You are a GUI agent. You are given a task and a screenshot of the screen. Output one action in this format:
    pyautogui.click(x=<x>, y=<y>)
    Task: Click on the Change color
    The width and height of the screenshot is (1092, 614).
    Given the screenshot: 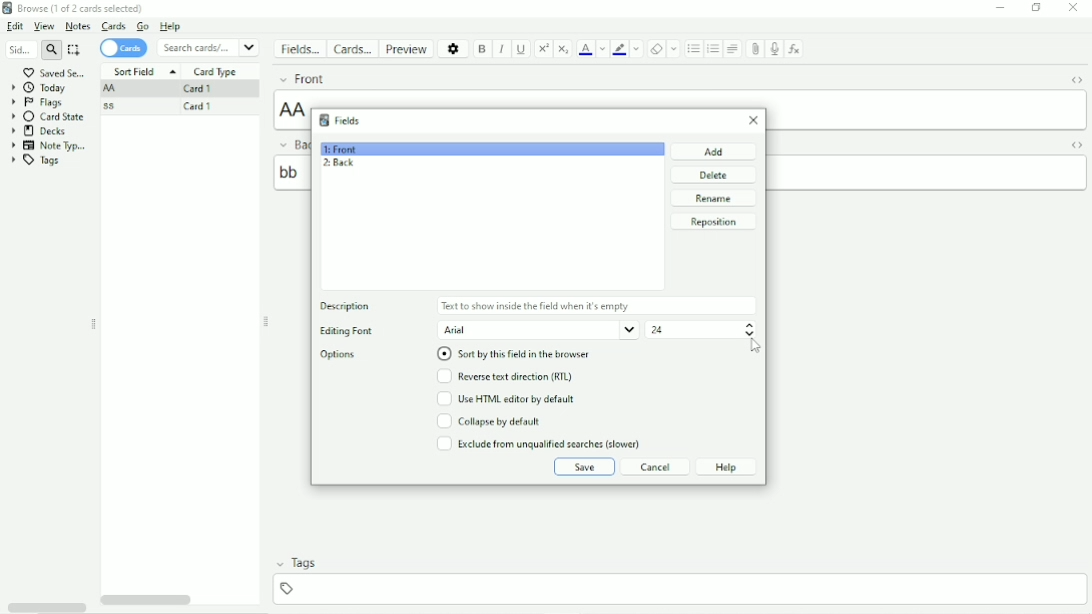 What is the action you would take?
    pyautogui.click(x=602, y=49)
    